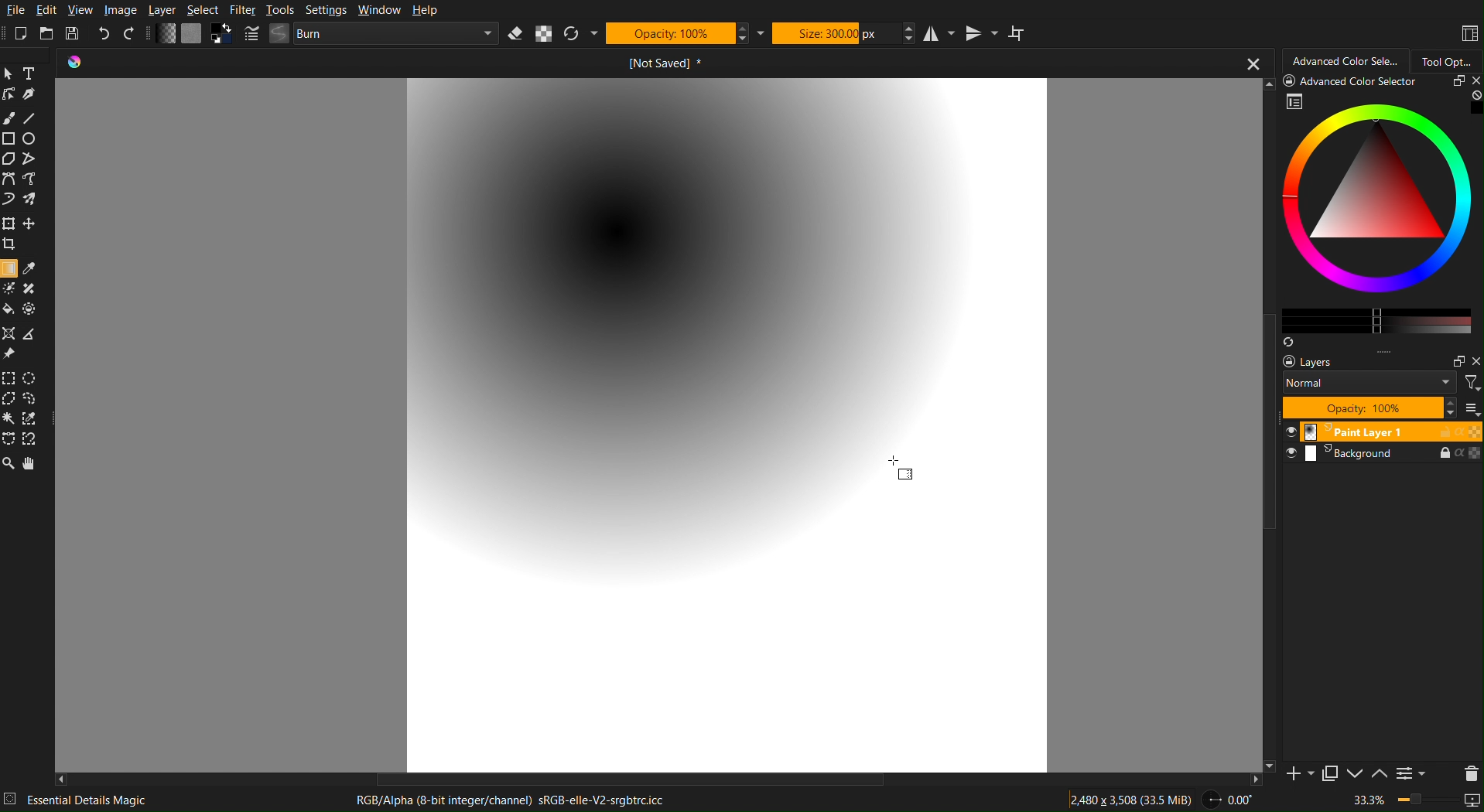 Image resolution: width=1484 pixels, height=812 pixels. I want to click on New, so click(22, 34).